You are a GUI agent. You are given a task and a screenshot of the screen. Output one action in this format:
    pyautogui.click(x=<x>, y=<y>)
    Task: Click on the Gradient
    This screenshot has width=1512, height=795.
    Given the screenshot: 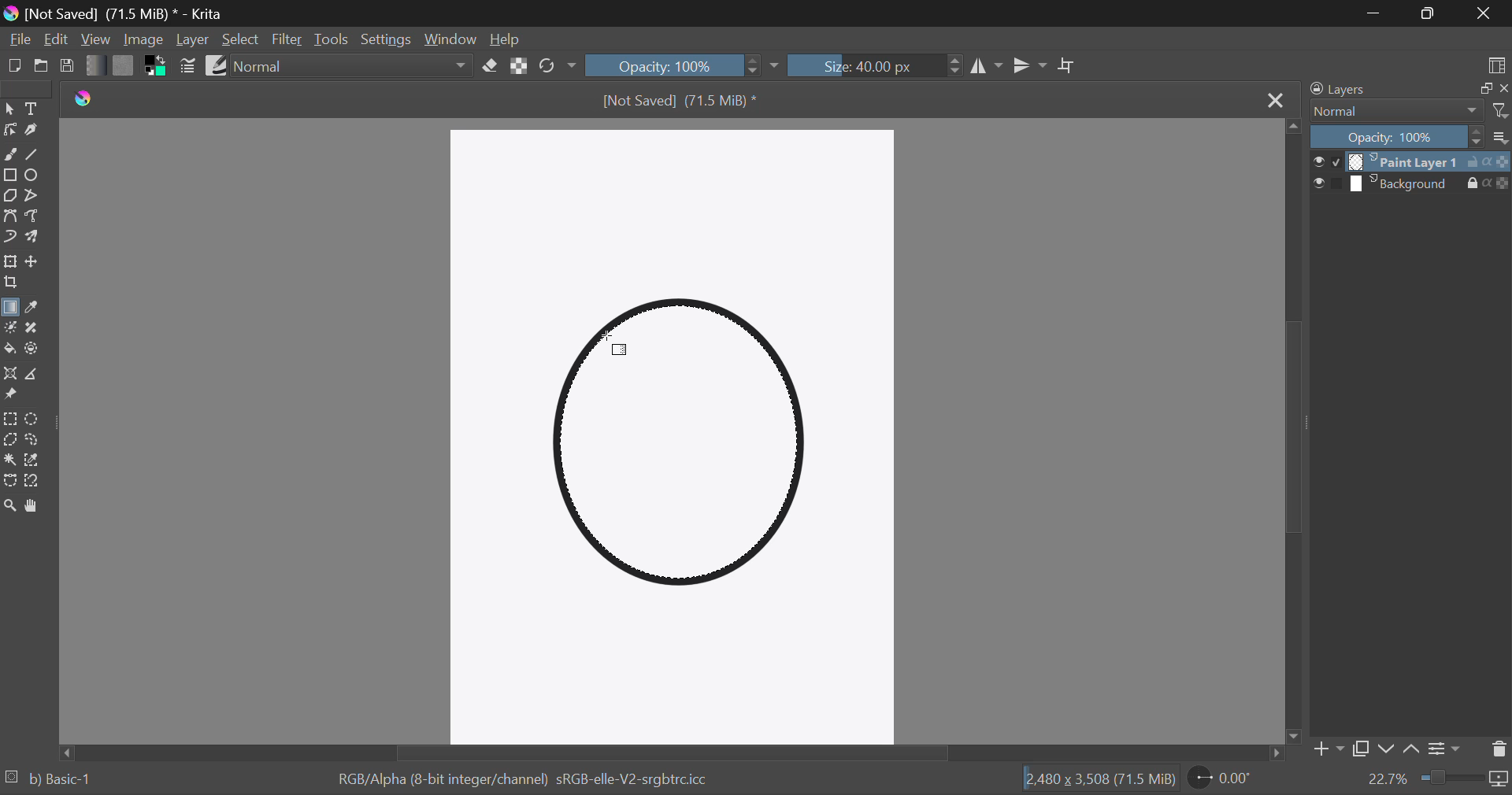 What is the action you would take?
    pyautogui.click(x=99, y=68)
    